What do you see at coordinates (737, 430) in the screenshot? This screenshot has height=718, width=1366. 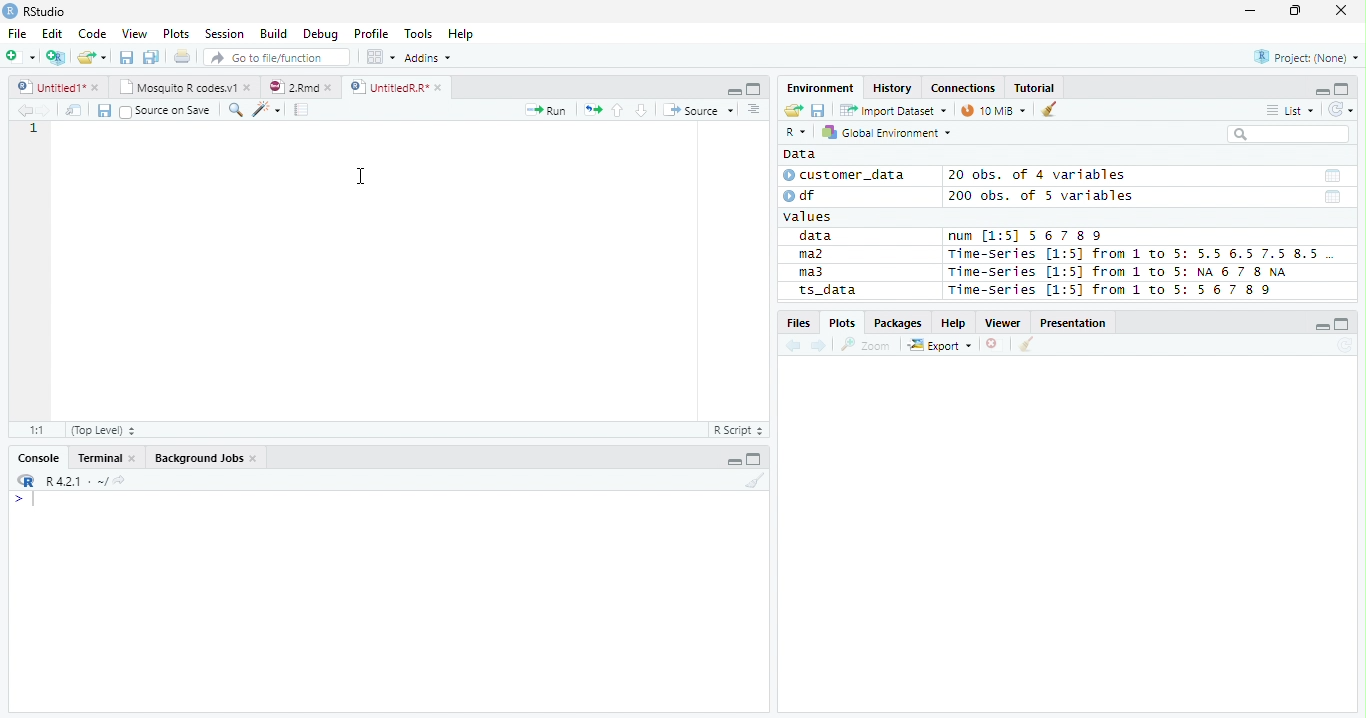 I see `R script` at bounding box center [737, 430].